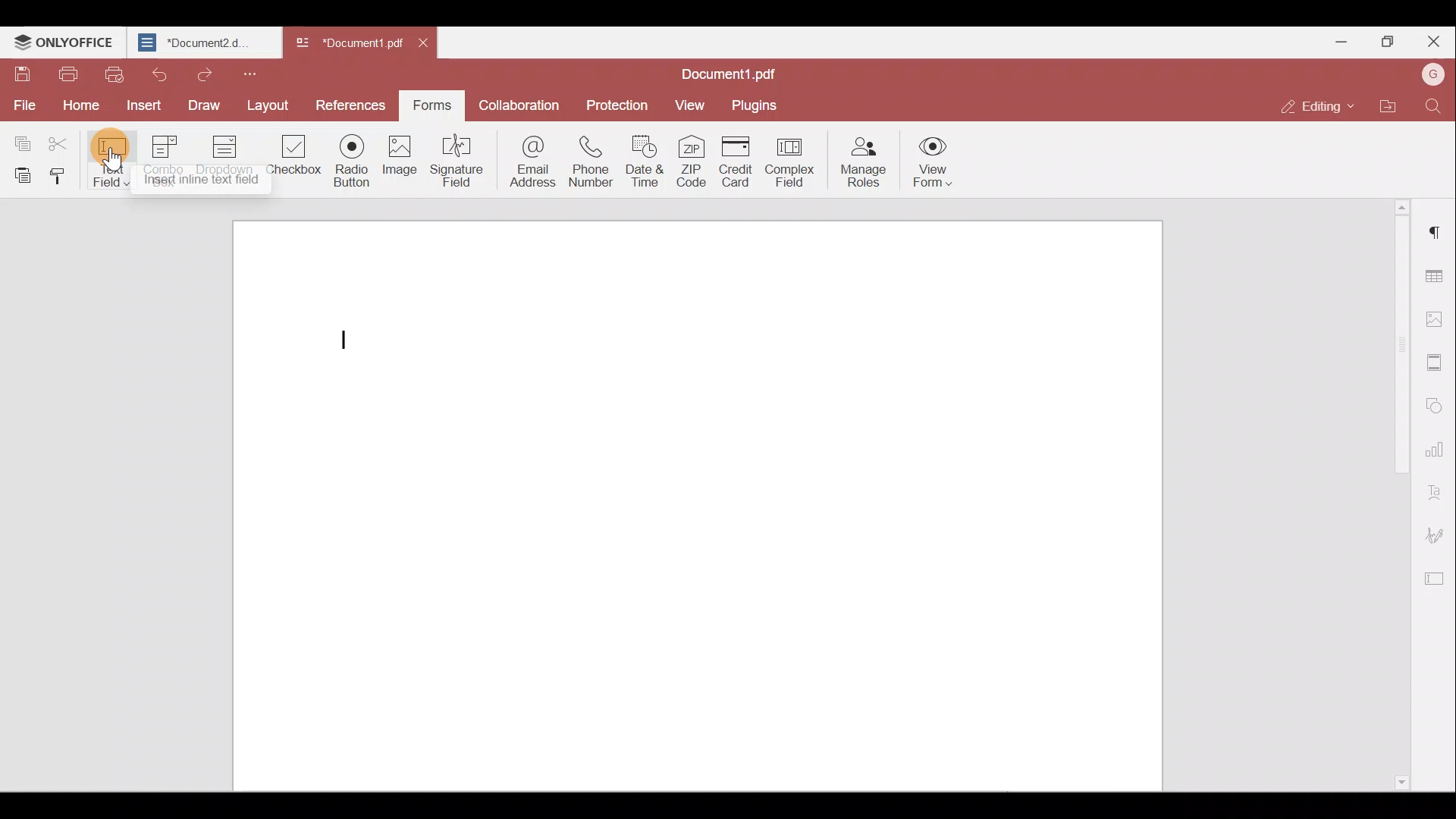  What do you see at coordinates (1434, 39) in the screenshot?
I see `Close` at bounding box center [1434, 39].